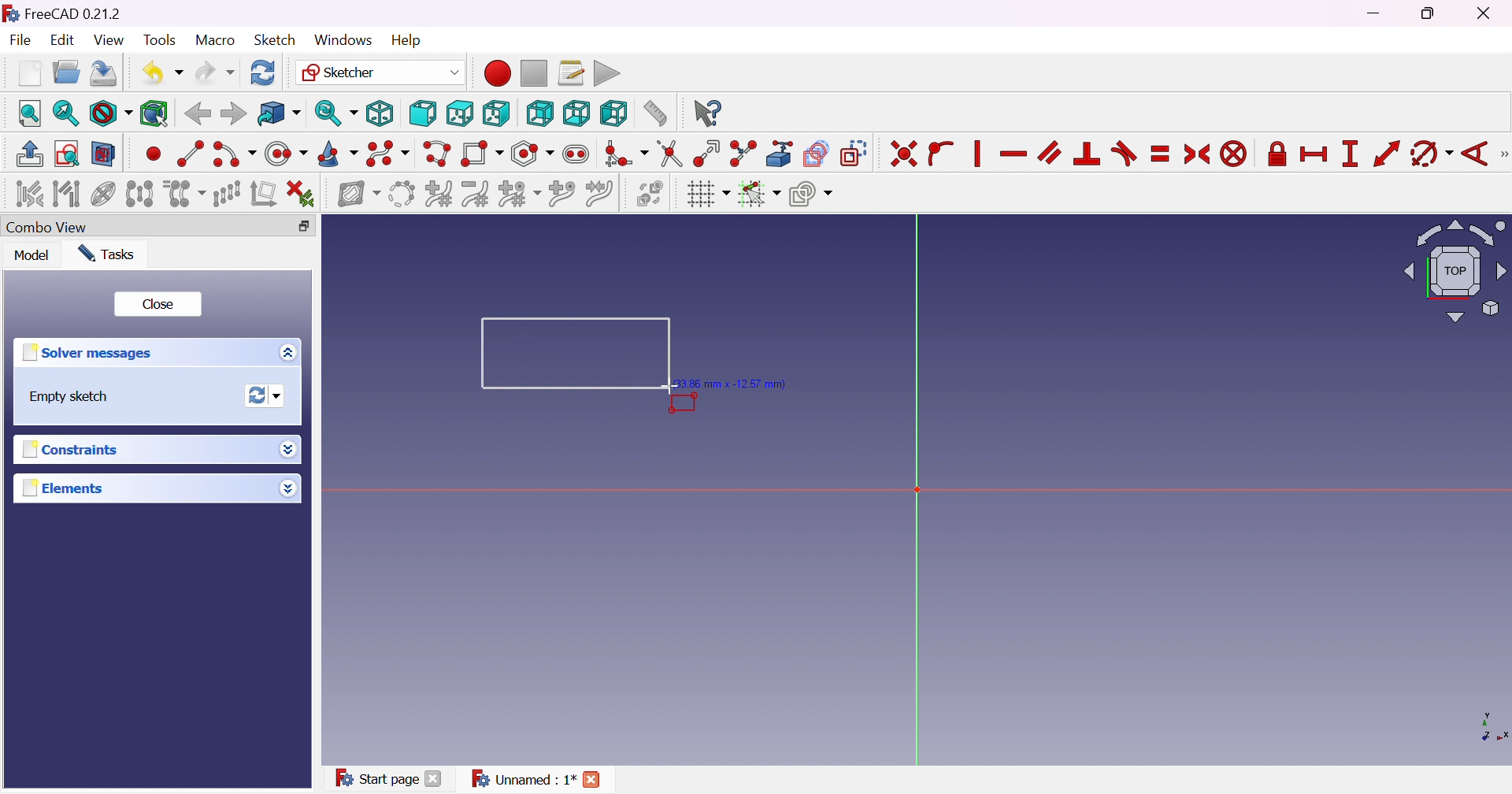 This screenshot has width=1512, height=794. Describe the element at coordinates (1503, 154) in the screenshot. I see `[Sketcher constraints]` at that location.